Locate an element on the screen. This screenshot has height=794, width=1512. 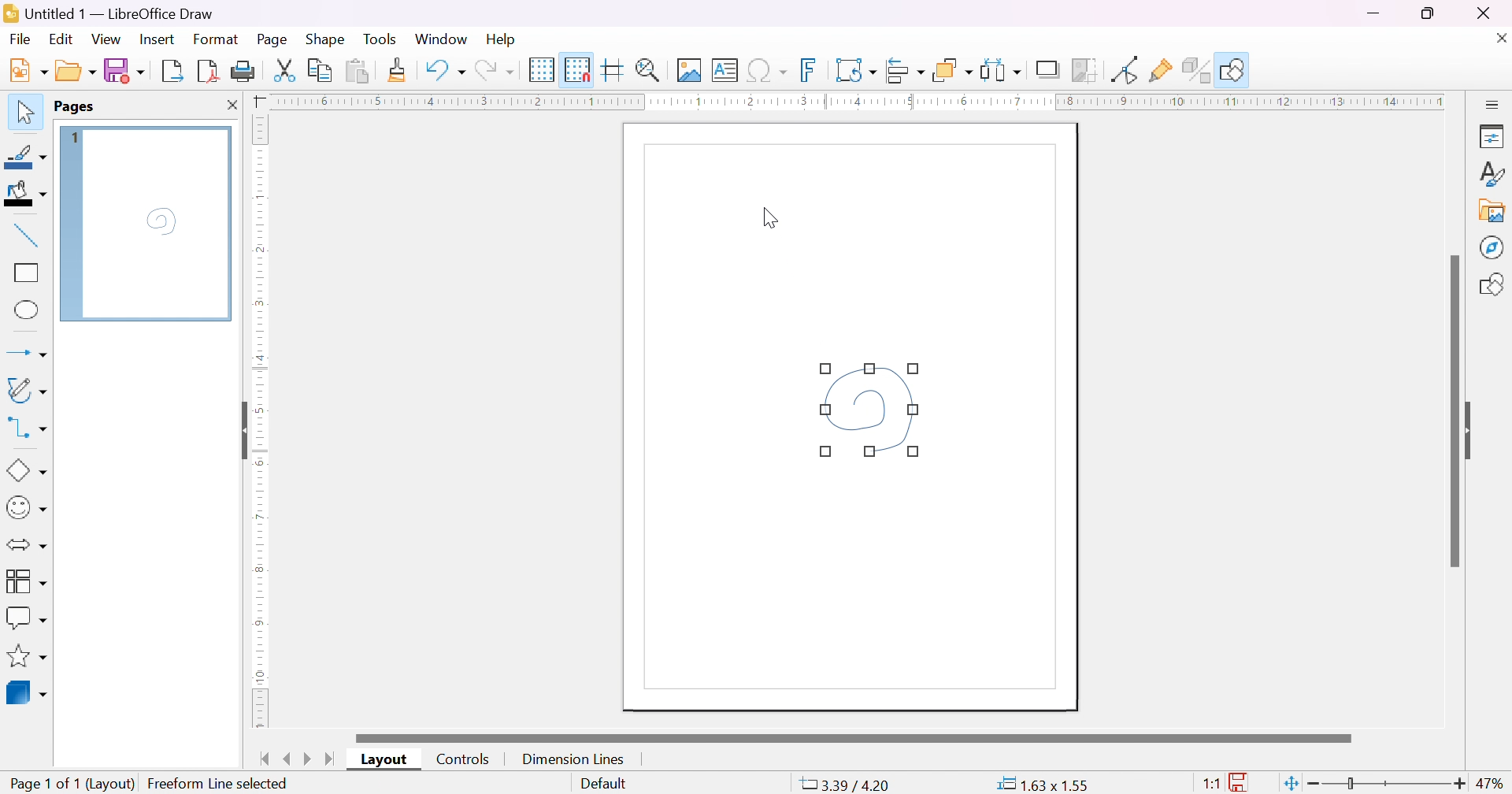
undo is located at coordinates (445, 70).